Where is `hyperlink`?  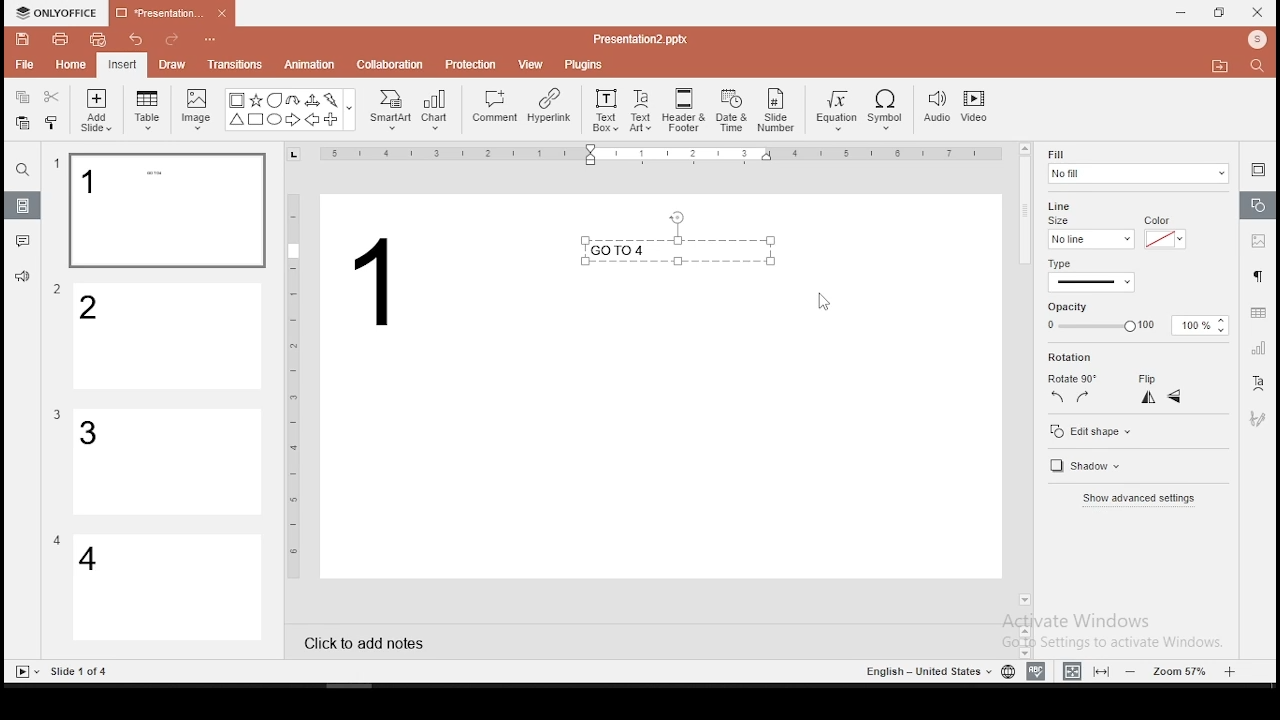
hyperlink is located at coordinates (548, 105).